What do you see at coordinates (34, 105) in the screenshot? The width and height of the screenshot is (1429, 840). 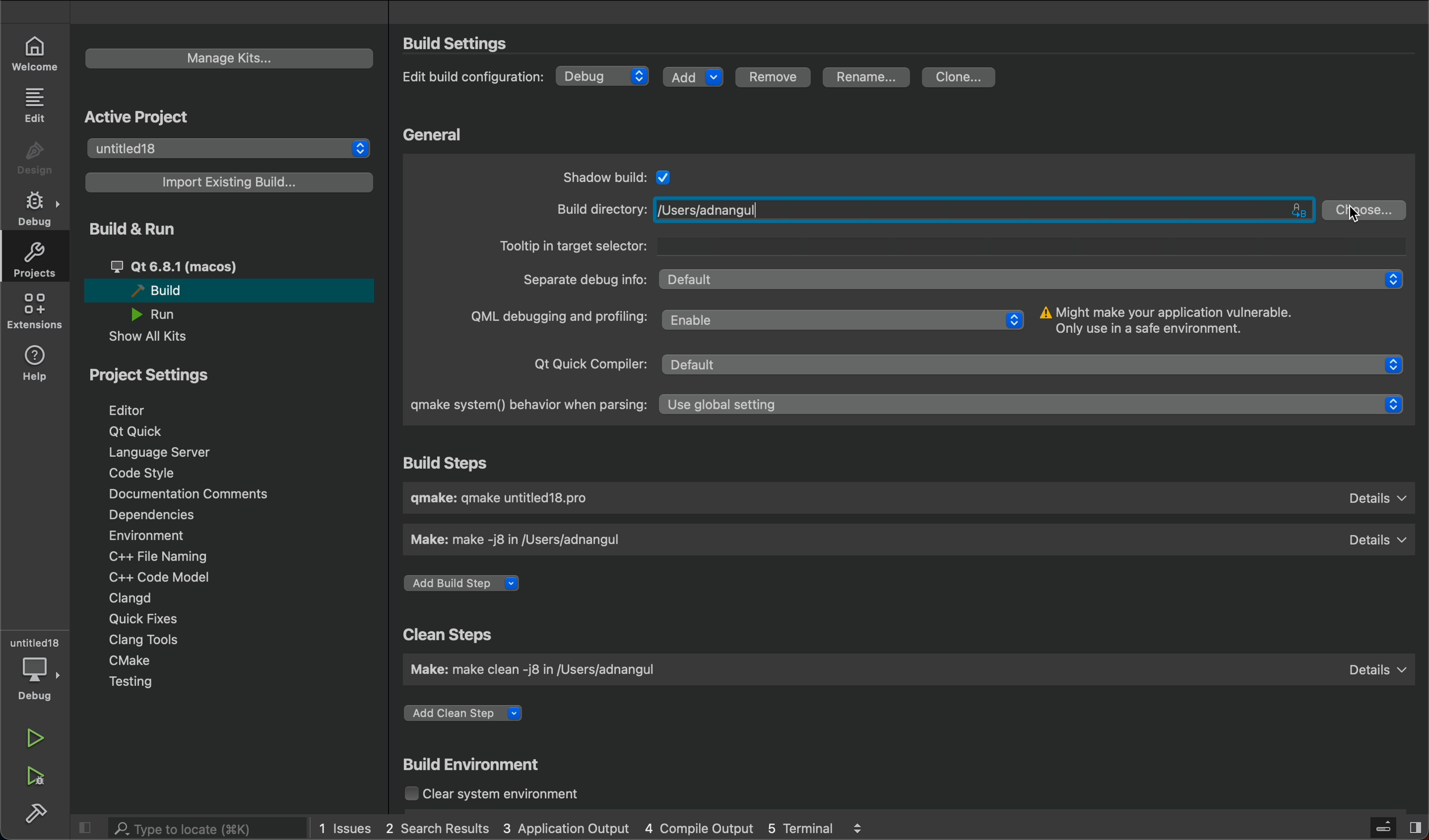 I see `edit` at bounding box center [34, 105].